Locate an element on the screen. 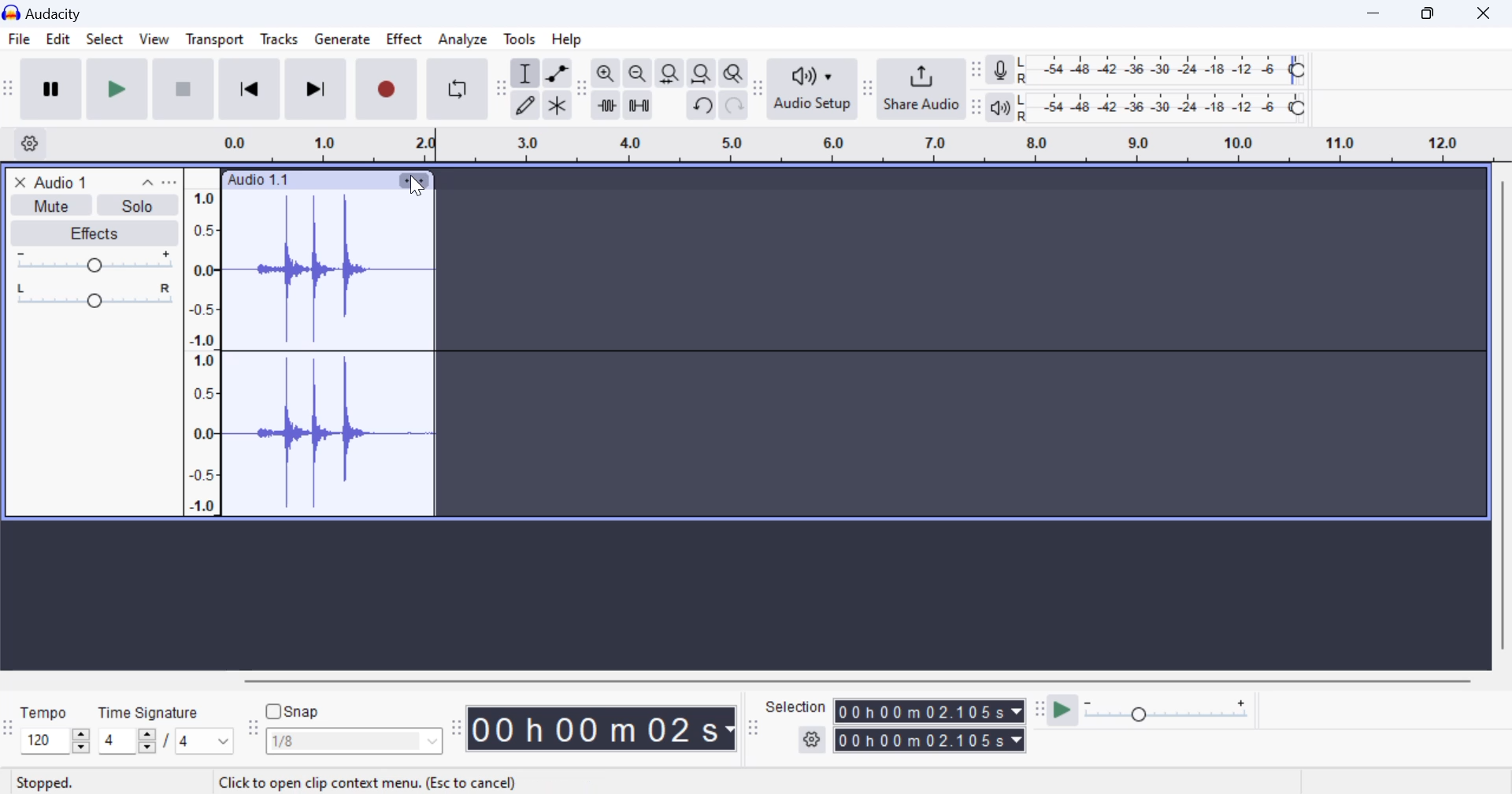 The width and height of the screenshot is (1512, 794). fit project to width is located at coordinates (702, 74).